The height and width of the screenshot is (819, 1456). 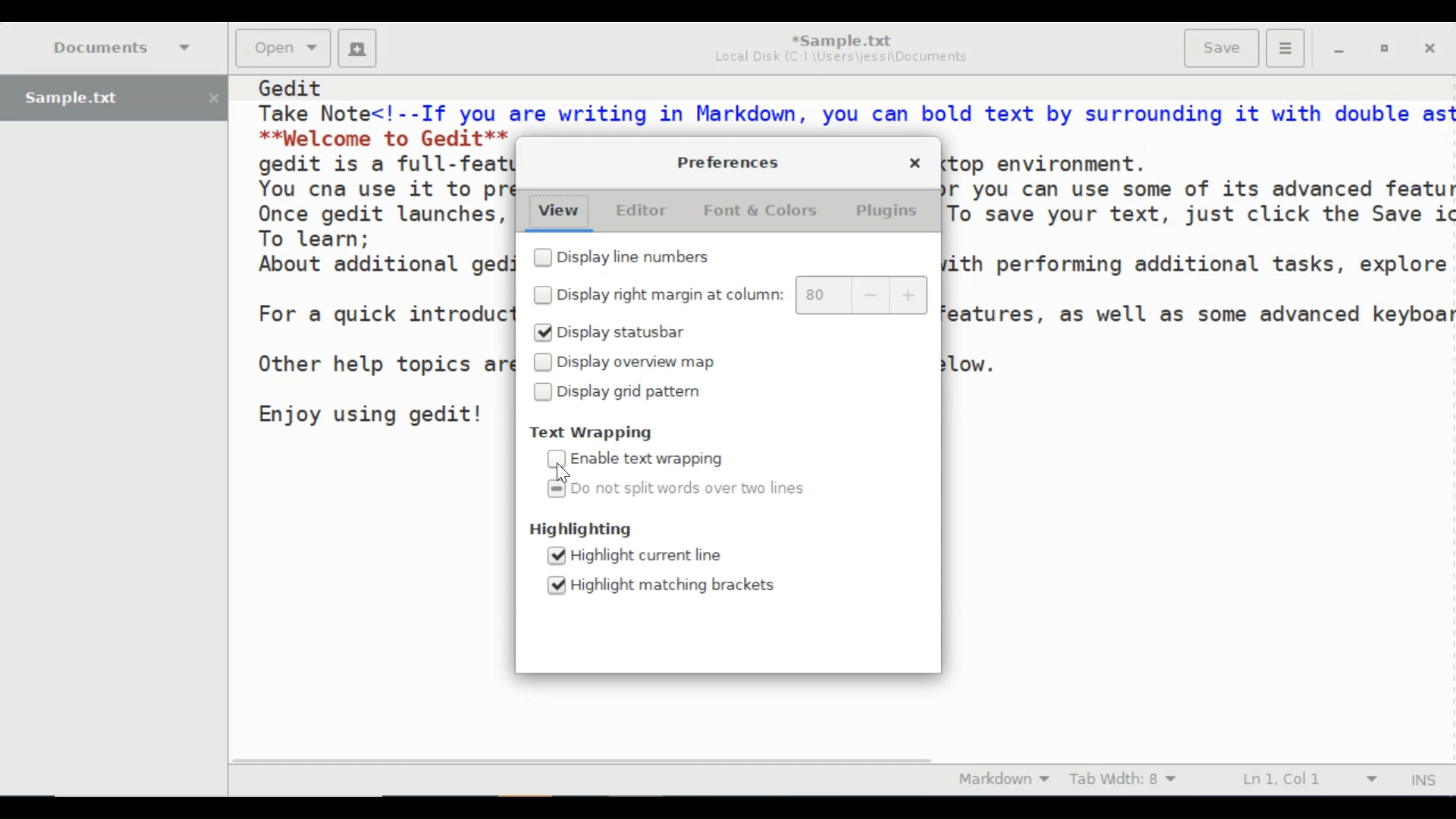 What do you see at coordinates (644, 555) in the screenshot?
I see `(un)select Highlight current line` at bounding box center [644, 555].